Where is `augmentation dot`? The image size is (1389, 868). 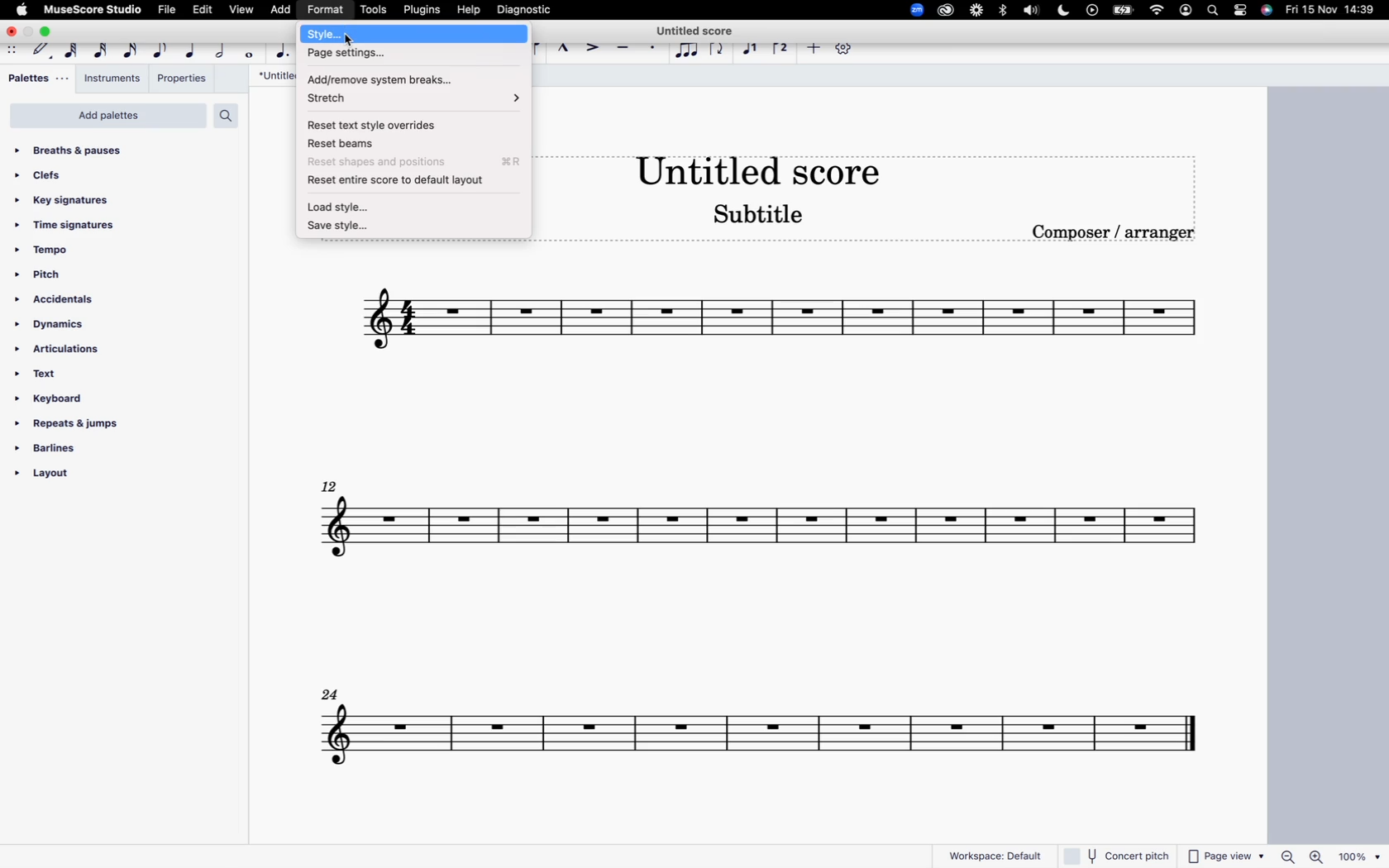
augmentation dot is located at coordinates (283, 51).